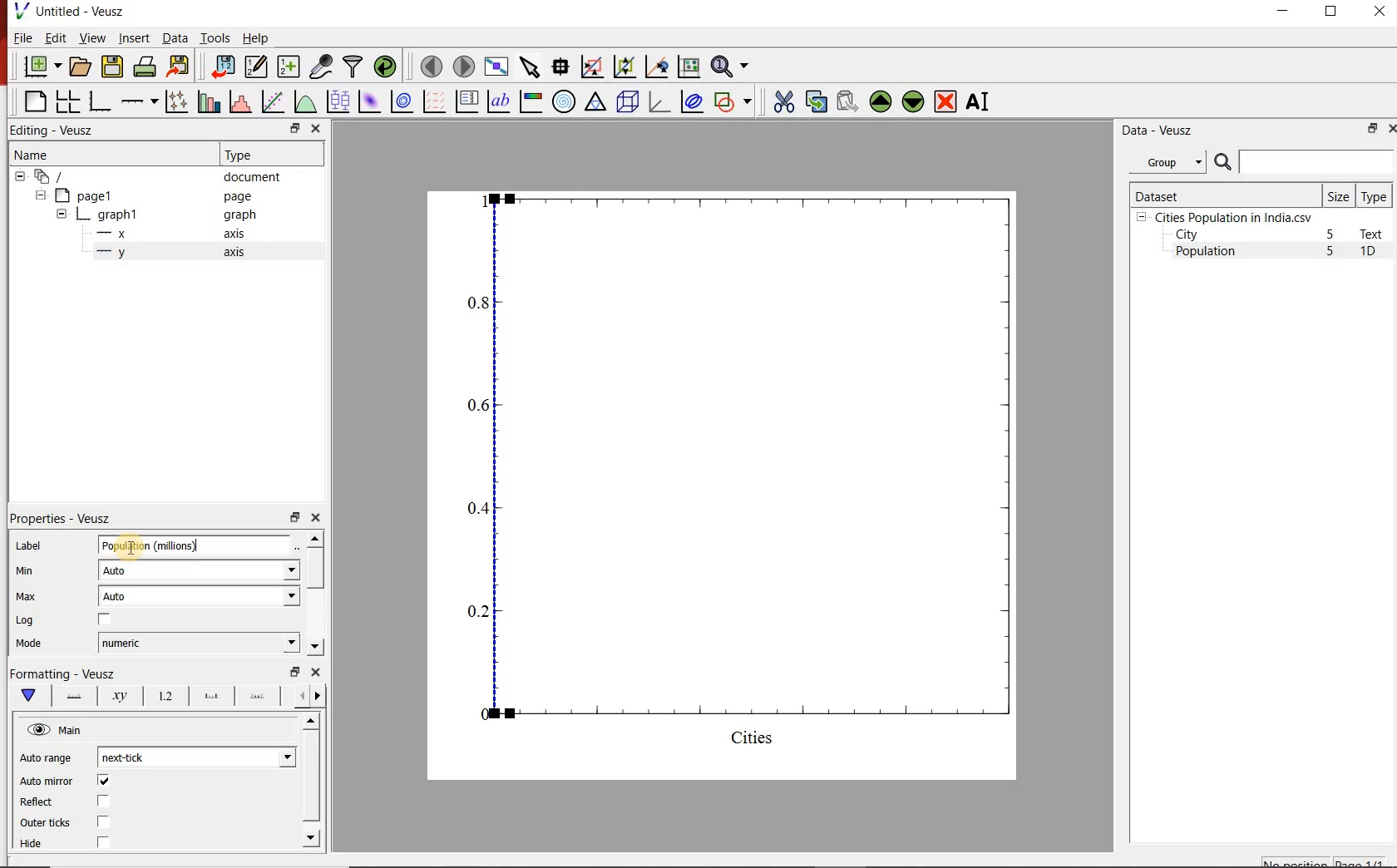  Describe the element at coordinates (139, 99) in the screenshot. I see `Add an axis to the plot` at that location.